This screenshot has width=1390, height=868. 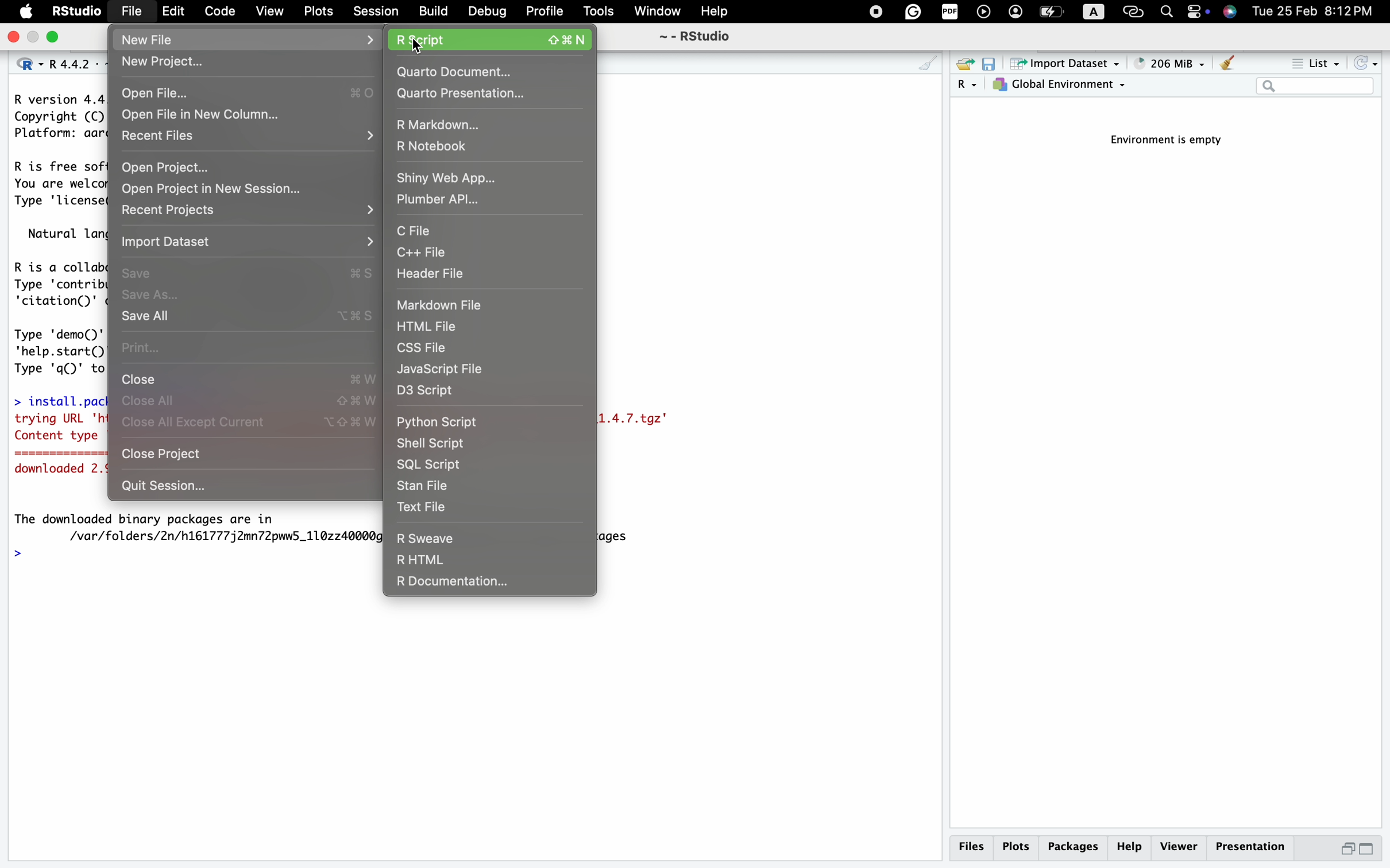 What do you see at coordinates (1256, 850) in the screenshot?
I see `presentation` at bounding box center [1256, 850].